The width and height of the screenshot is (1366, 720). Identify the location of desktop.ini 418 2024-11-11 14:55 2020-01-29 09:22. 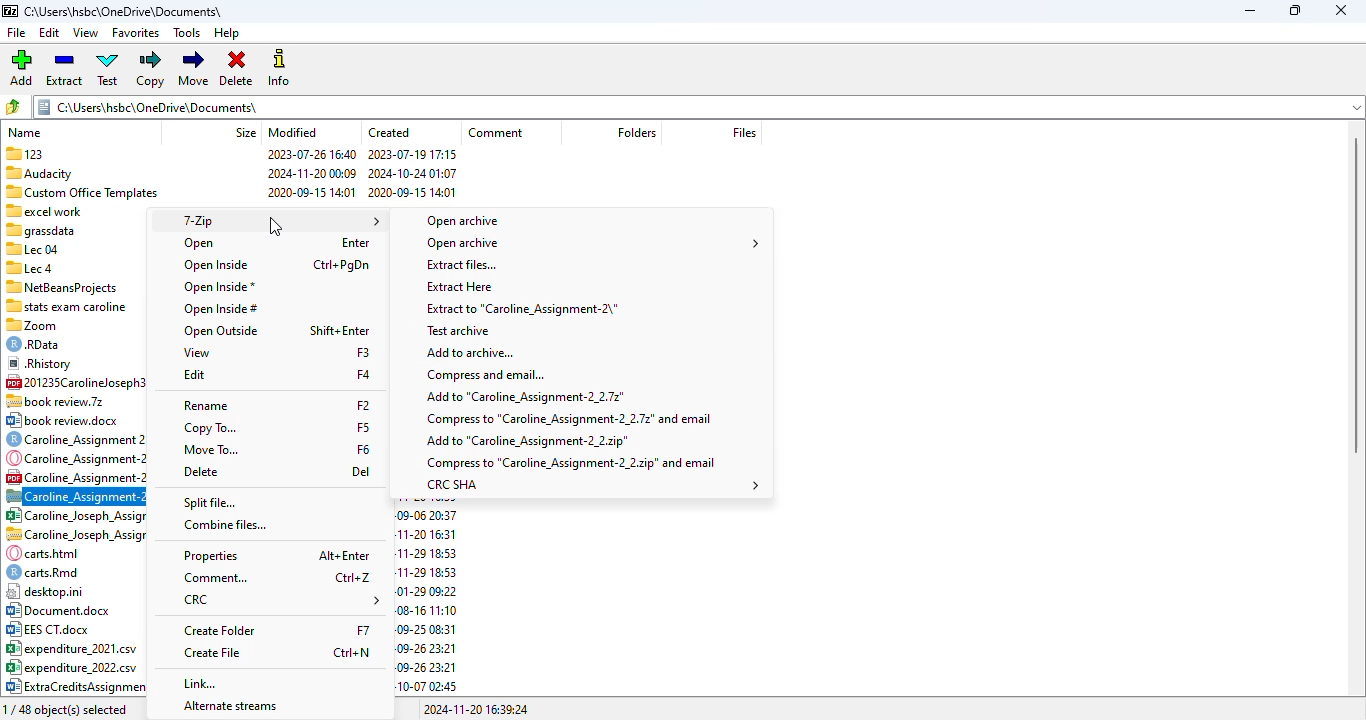
(70, 591).